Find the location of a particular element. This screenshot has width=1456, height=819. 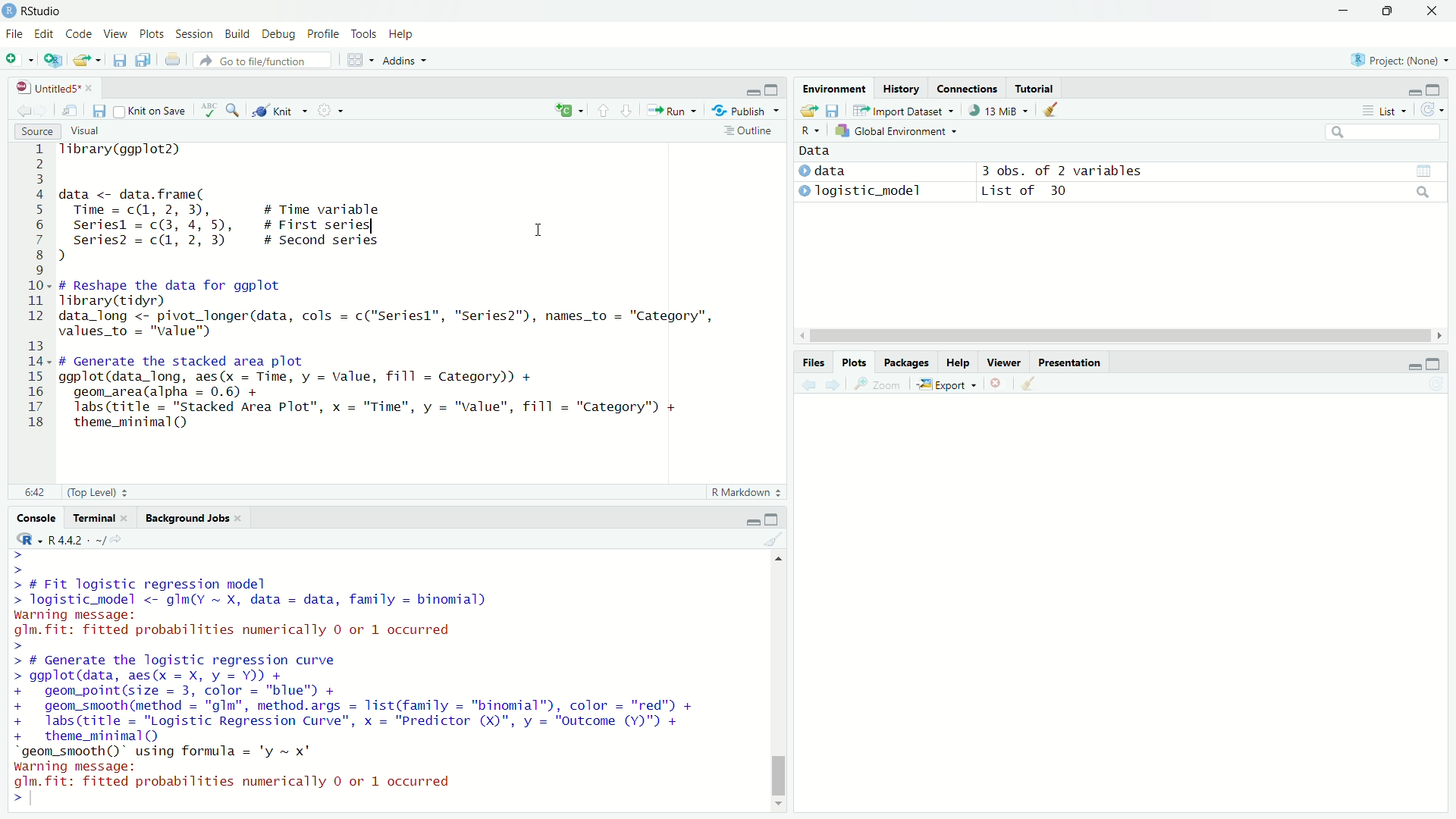

next is located at coordinates (834, 388).